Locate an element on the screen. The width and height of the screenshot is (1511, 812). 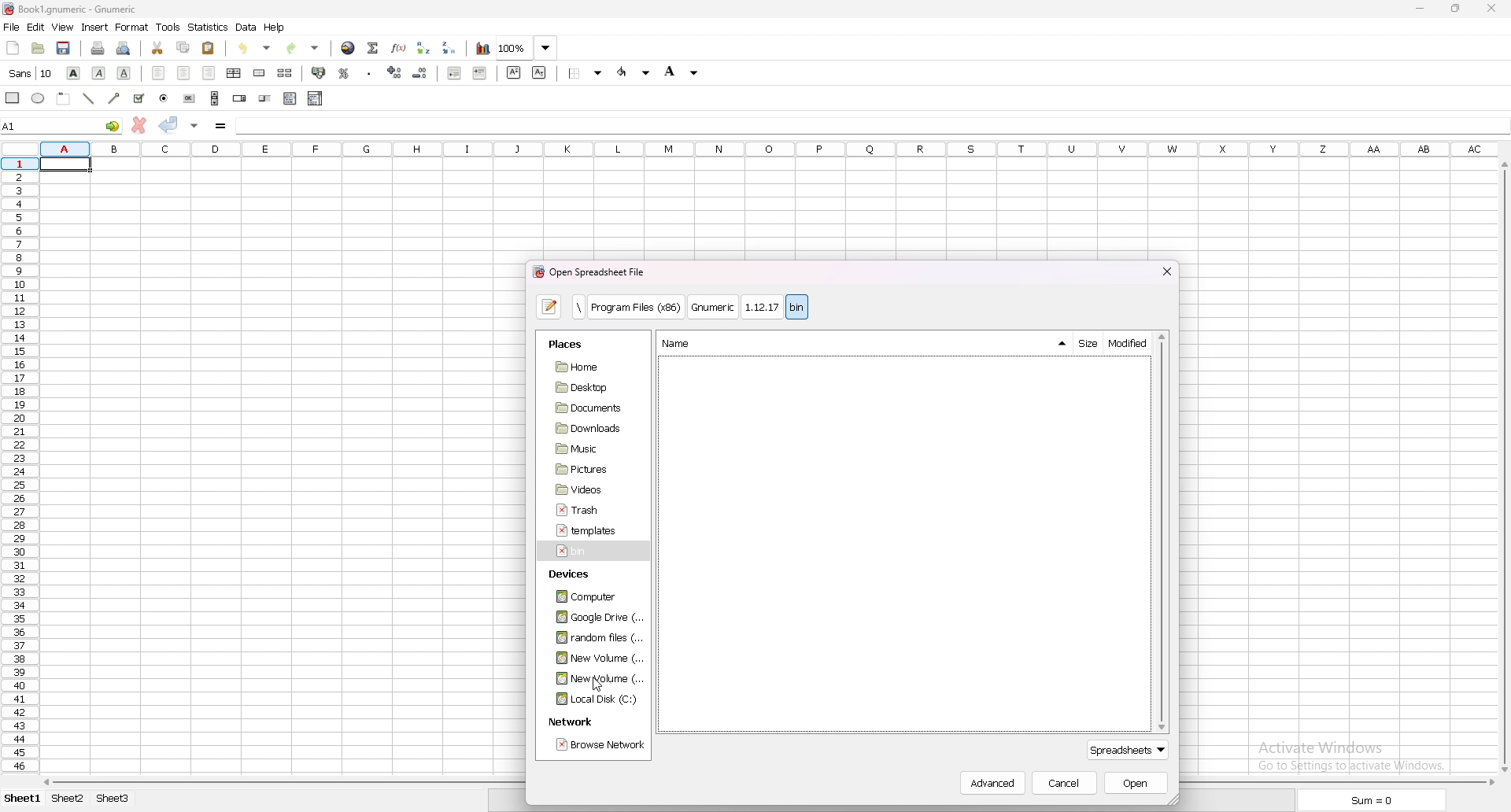
accept change is located at coordinates (168, 124).